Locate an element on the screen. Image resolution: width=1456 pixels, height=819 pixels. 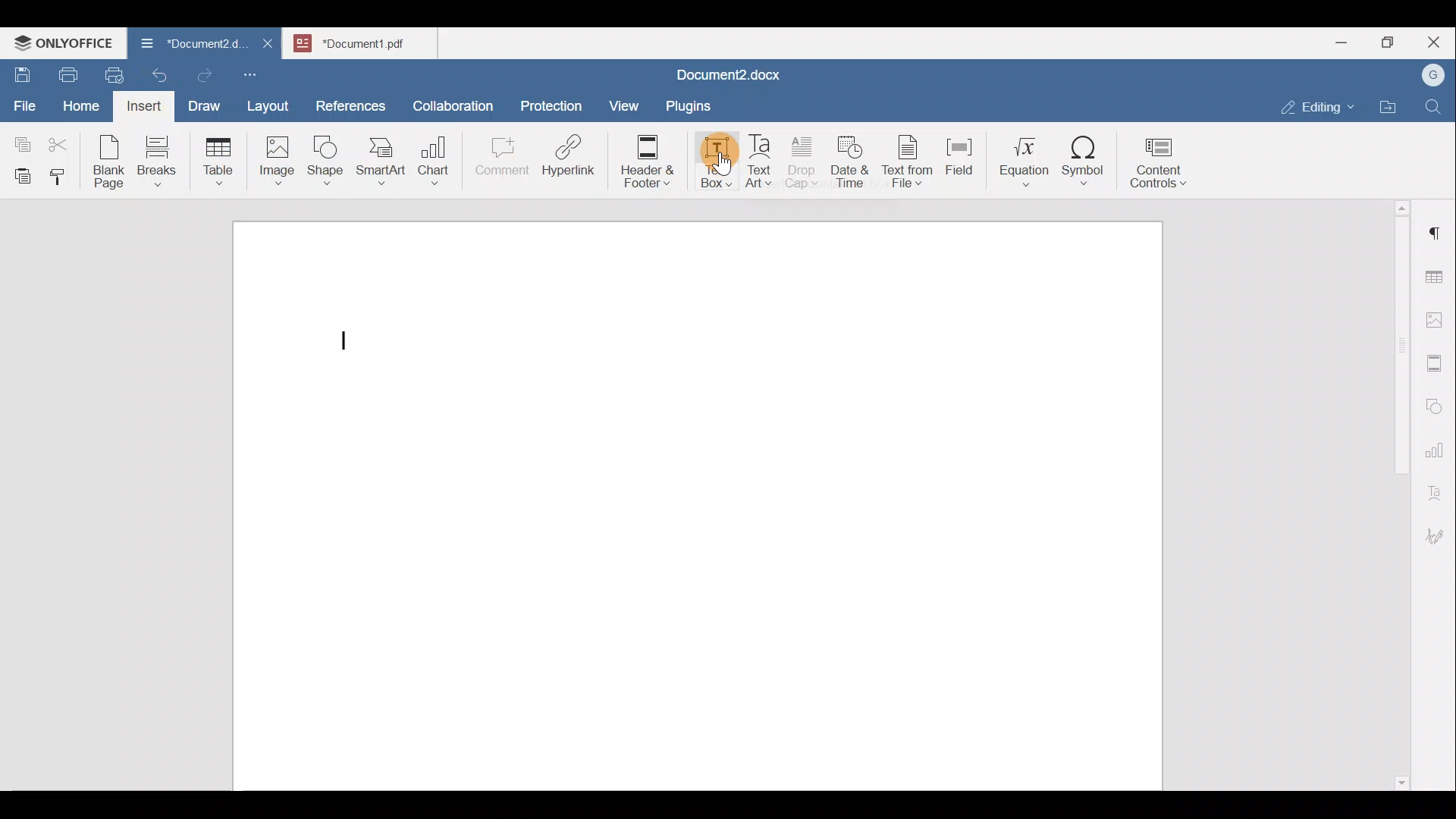
Cut is located at coordinates (64, 141).